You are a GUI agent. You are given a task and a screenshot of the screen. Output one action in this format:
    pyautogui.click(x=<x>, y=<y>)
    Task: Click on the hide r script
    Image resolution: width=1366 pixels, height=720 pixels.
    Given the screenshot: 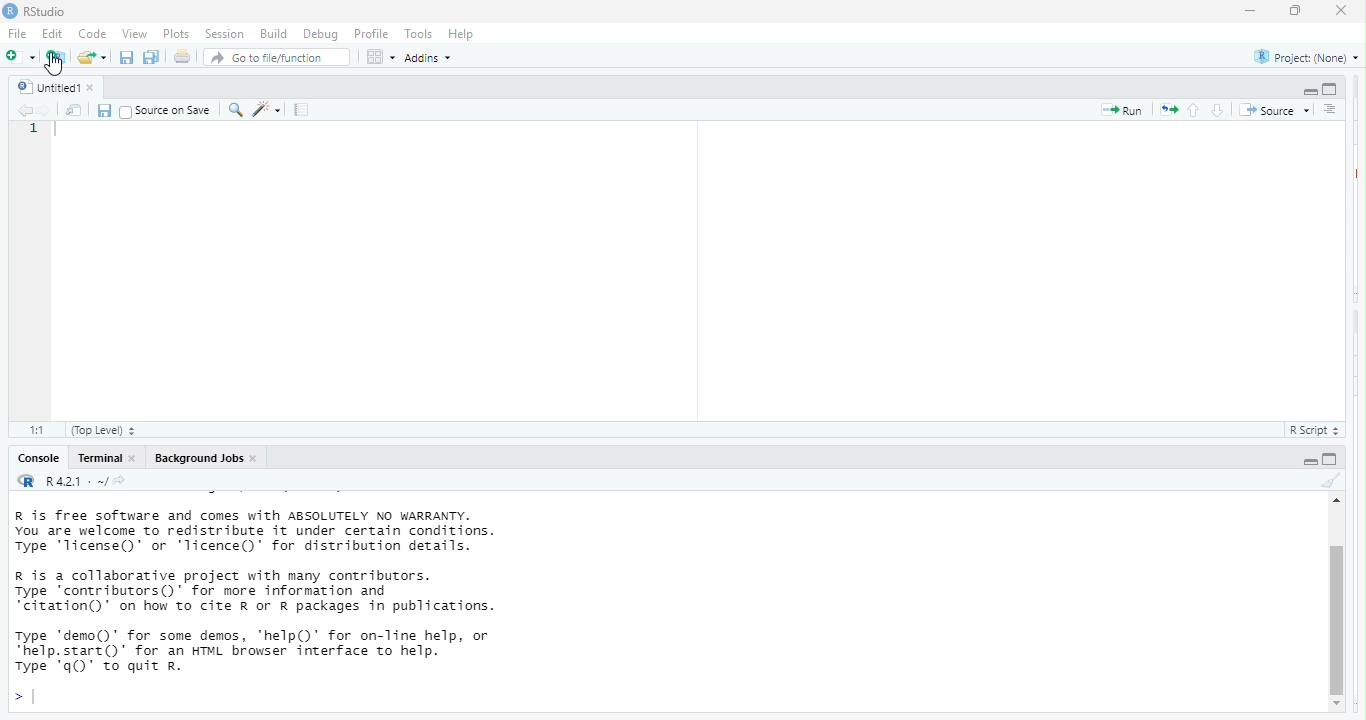 What is the action you would take?
    pyautogui.click(x=1305, y=461)
    